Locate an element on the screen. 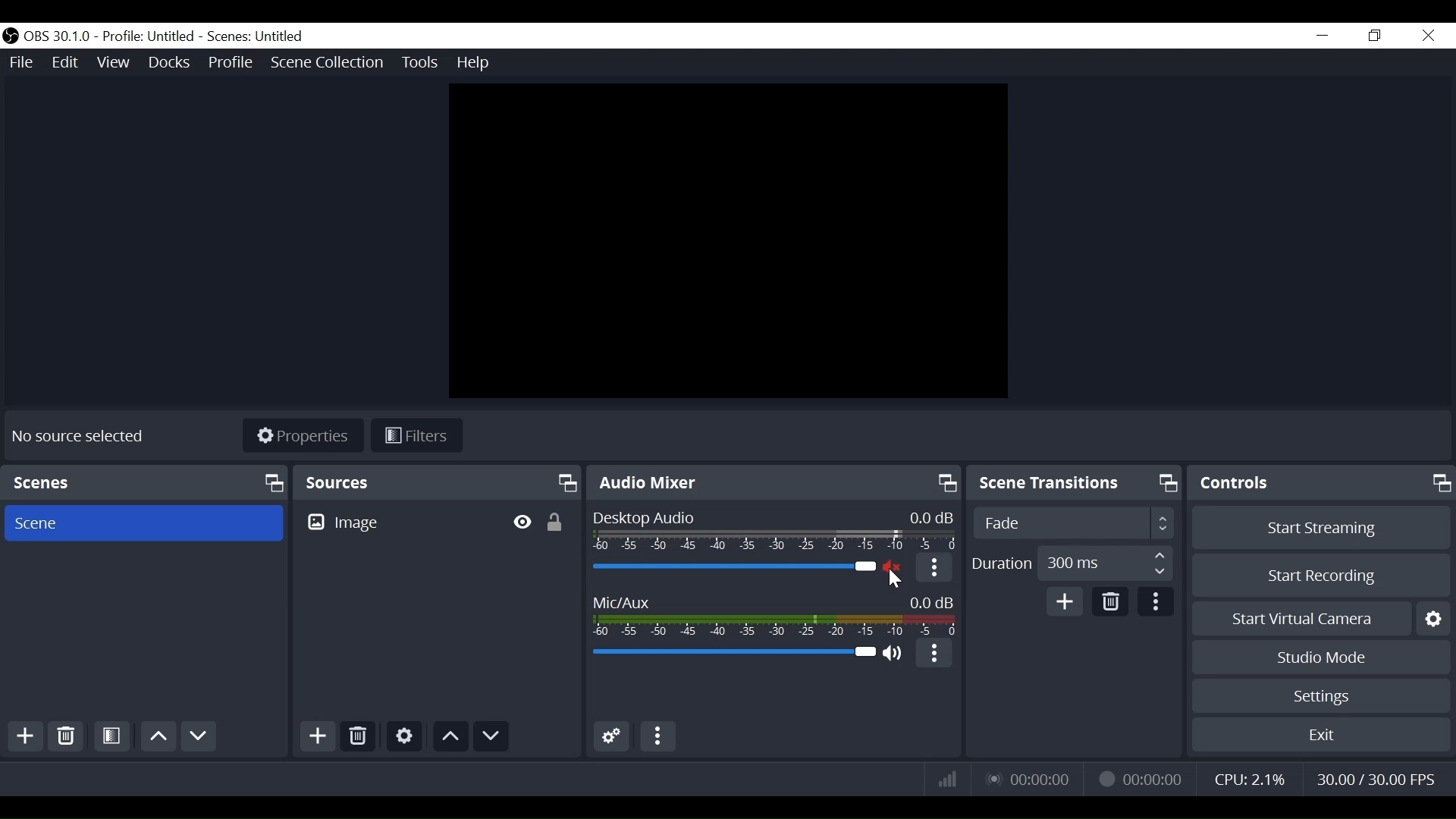 Image resolution: width=1456 pixels, height=819 pixels. Edit is located at coordinates (67, 63).